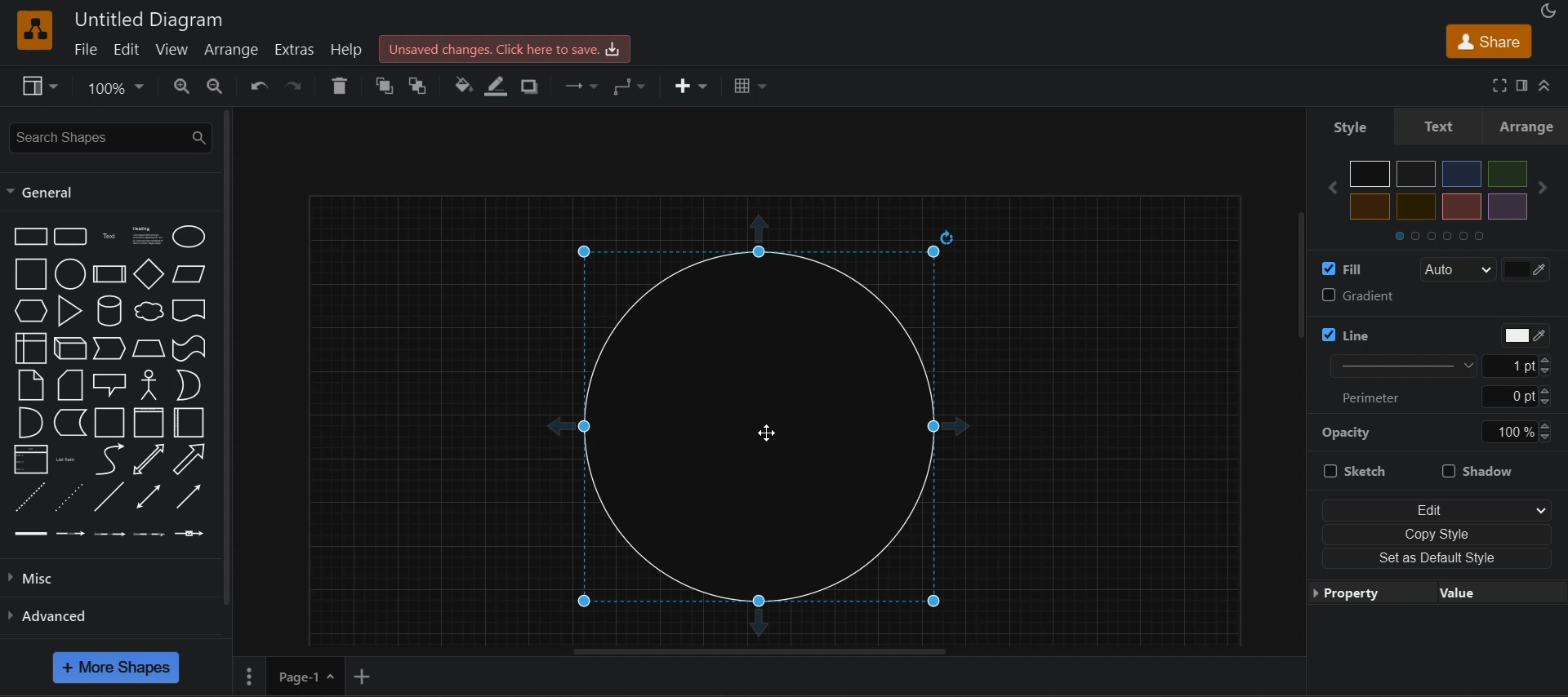 Image resolution: width=1568 pixels, height=697 pixels. Describe the element at coordinates (174, 51) in the screenshot. I see `view` at that location.